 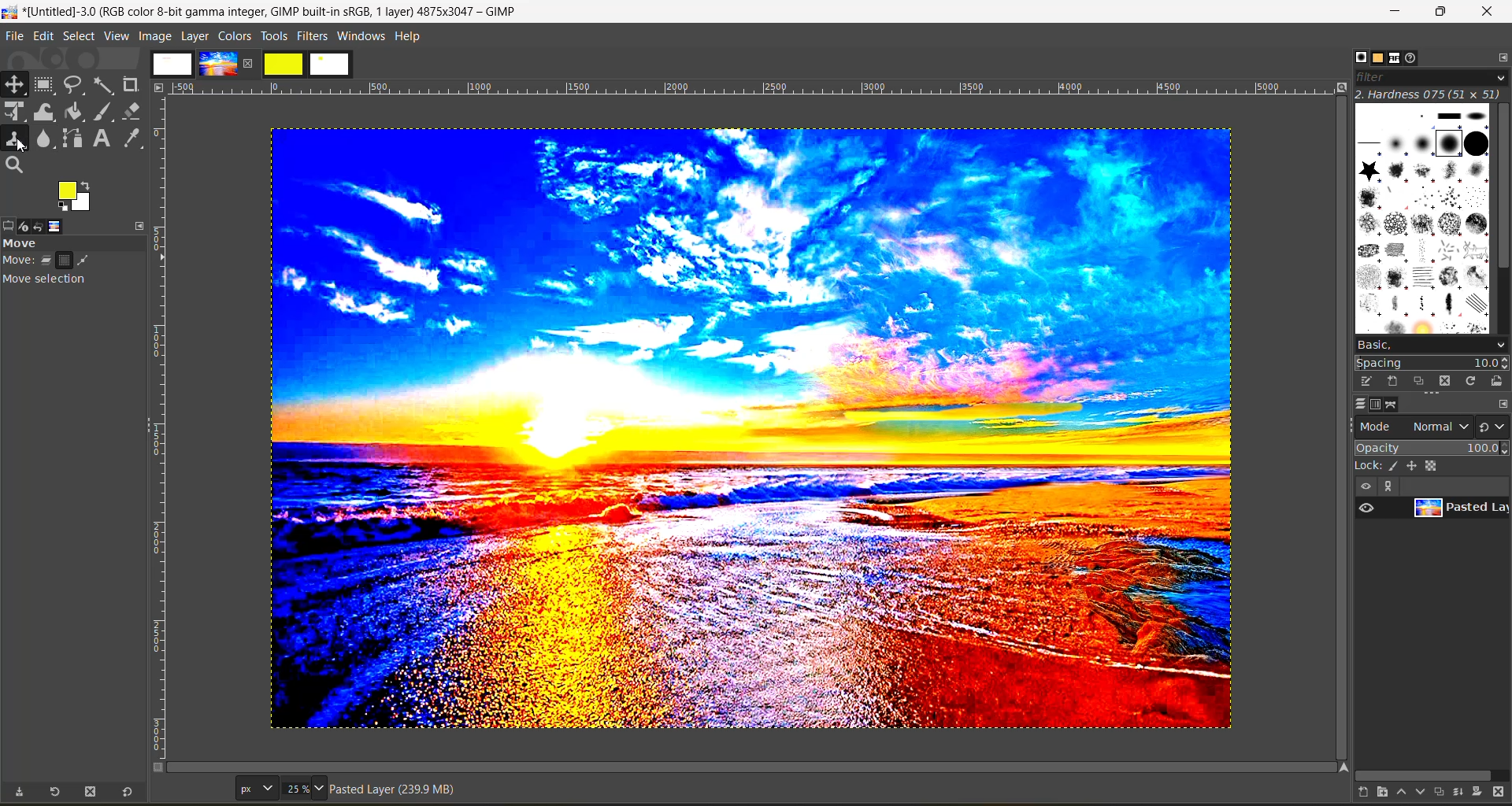 What do you see at coordinates (1430, 447) in the screenshot?
I see `opacity` at bounding box center [1430, 447].